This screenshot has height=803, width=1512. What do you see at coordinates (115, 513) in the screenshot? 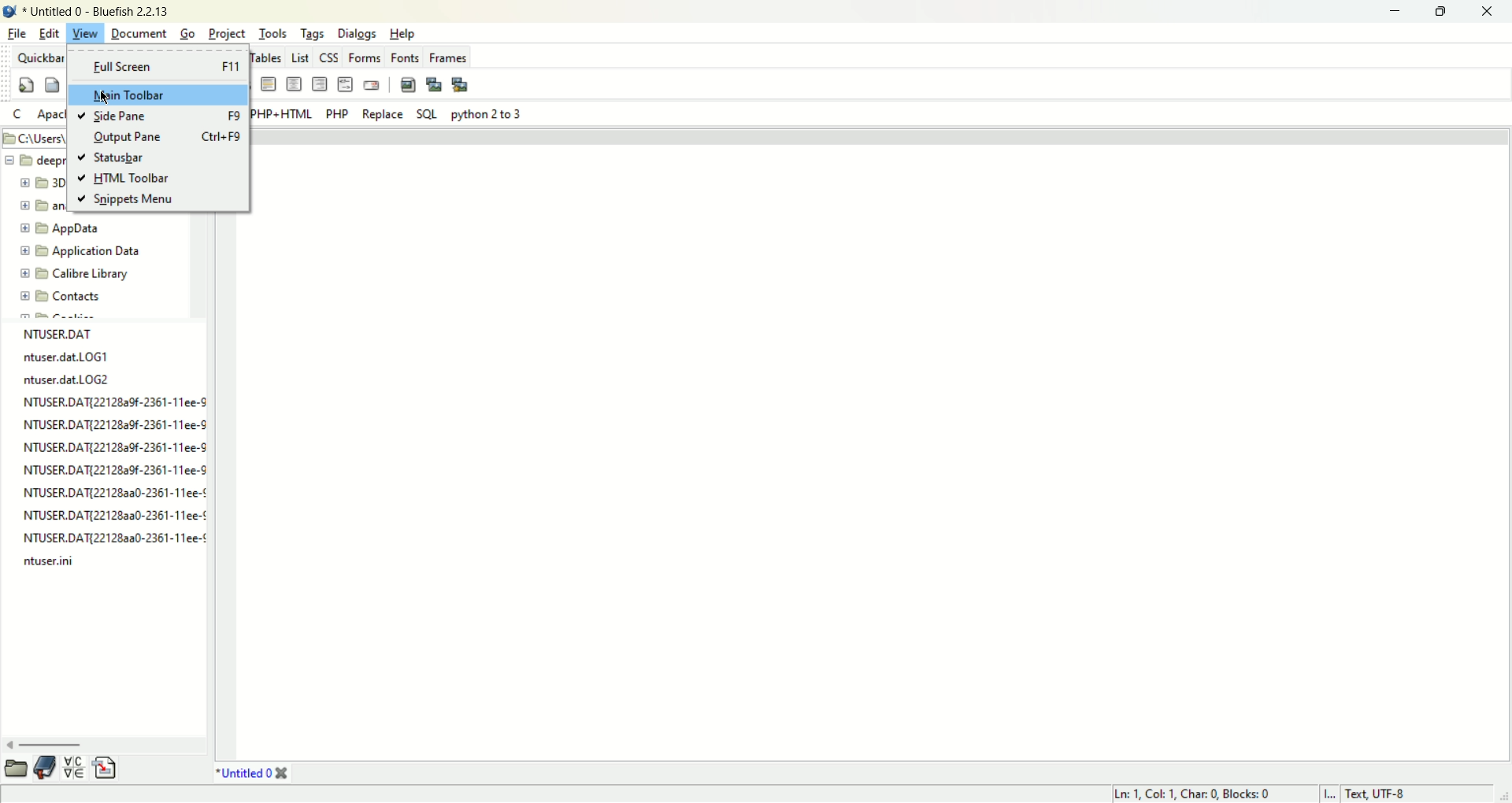
I see `NTUSER.DAT{22128aa0-2361-11ee-¢` at bounding box center [115, 513].